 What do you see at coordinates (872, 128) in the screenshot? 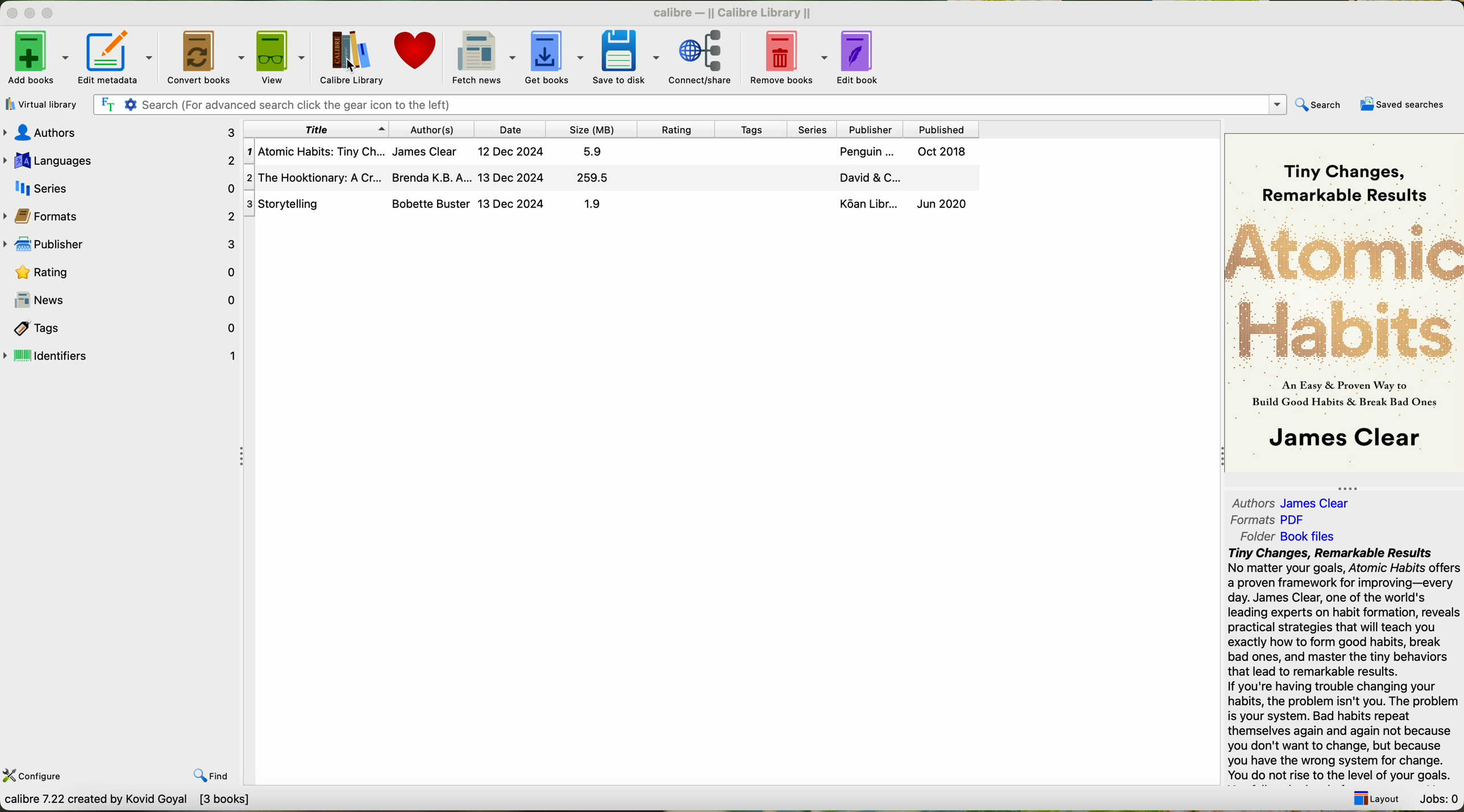
I see `Publisher` at bounding box center [872, 128].